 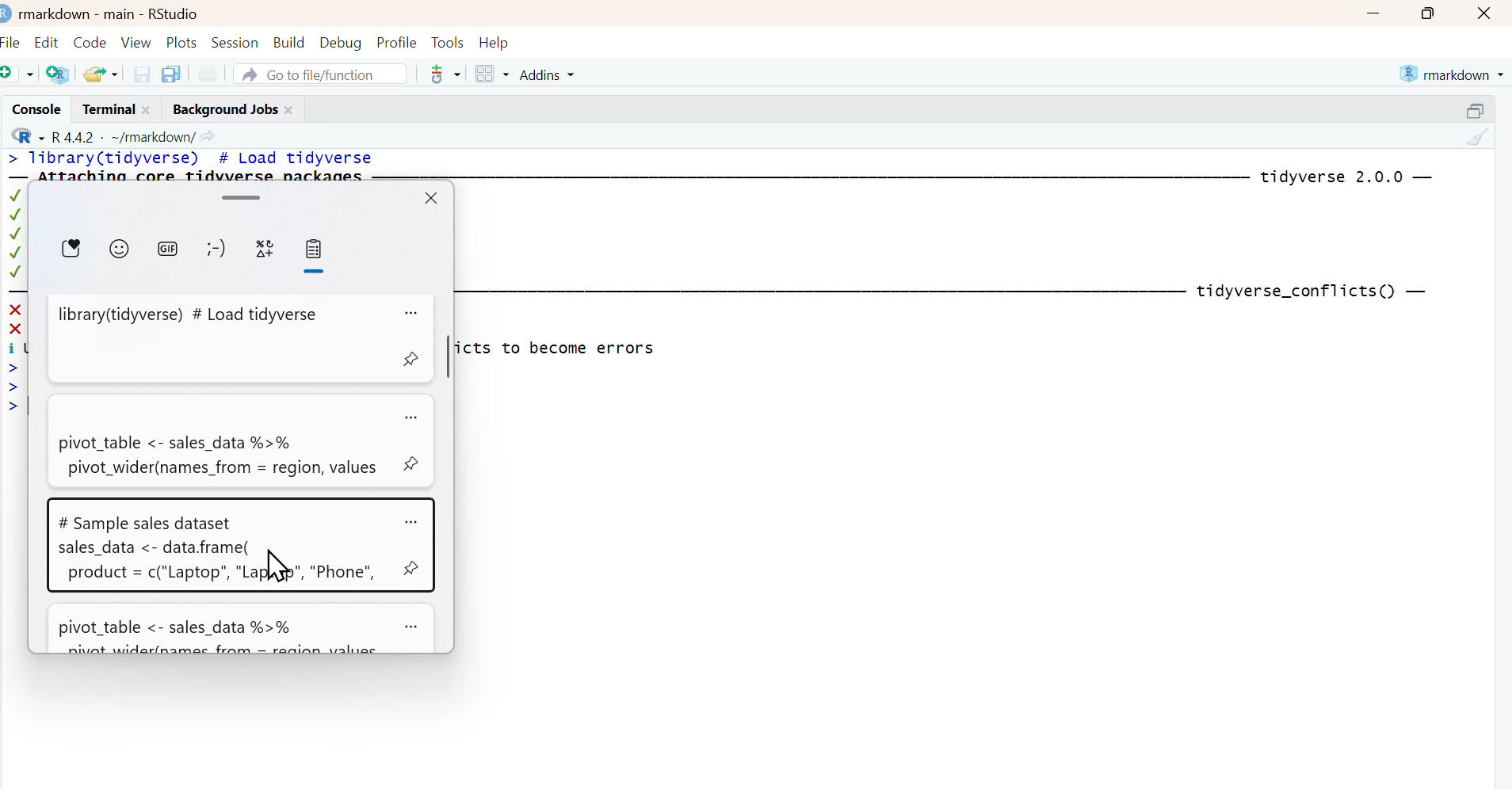 What do you see at coordinates (71, 251) in the screenshot?
I see `stickers` at bounding box center [71, 251].